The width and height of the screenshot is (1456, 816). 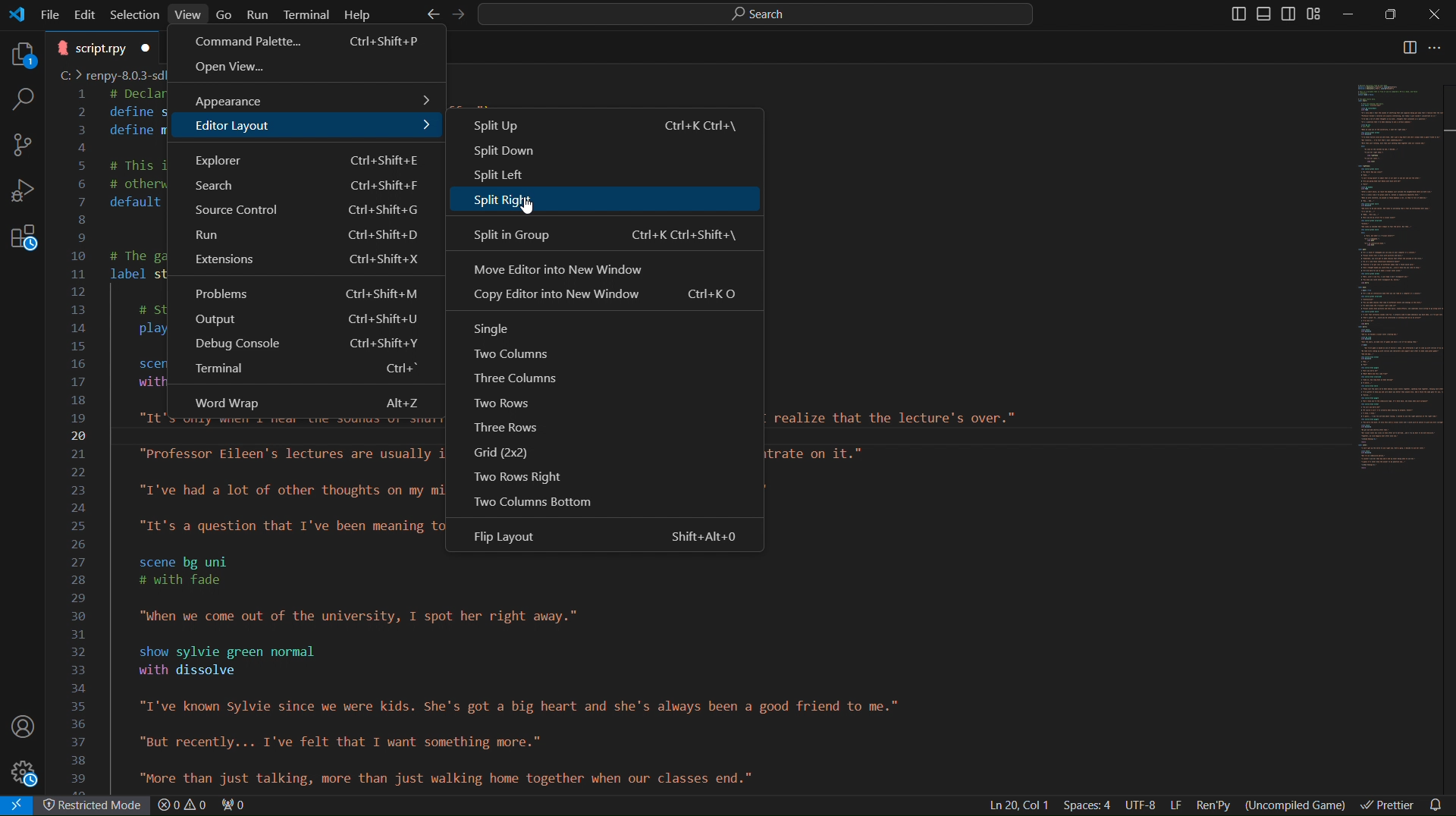 What do you see at coordinates (1319, 16) in the screenshot?
I see `Customize Layout` at bounding box center [1319, 16].